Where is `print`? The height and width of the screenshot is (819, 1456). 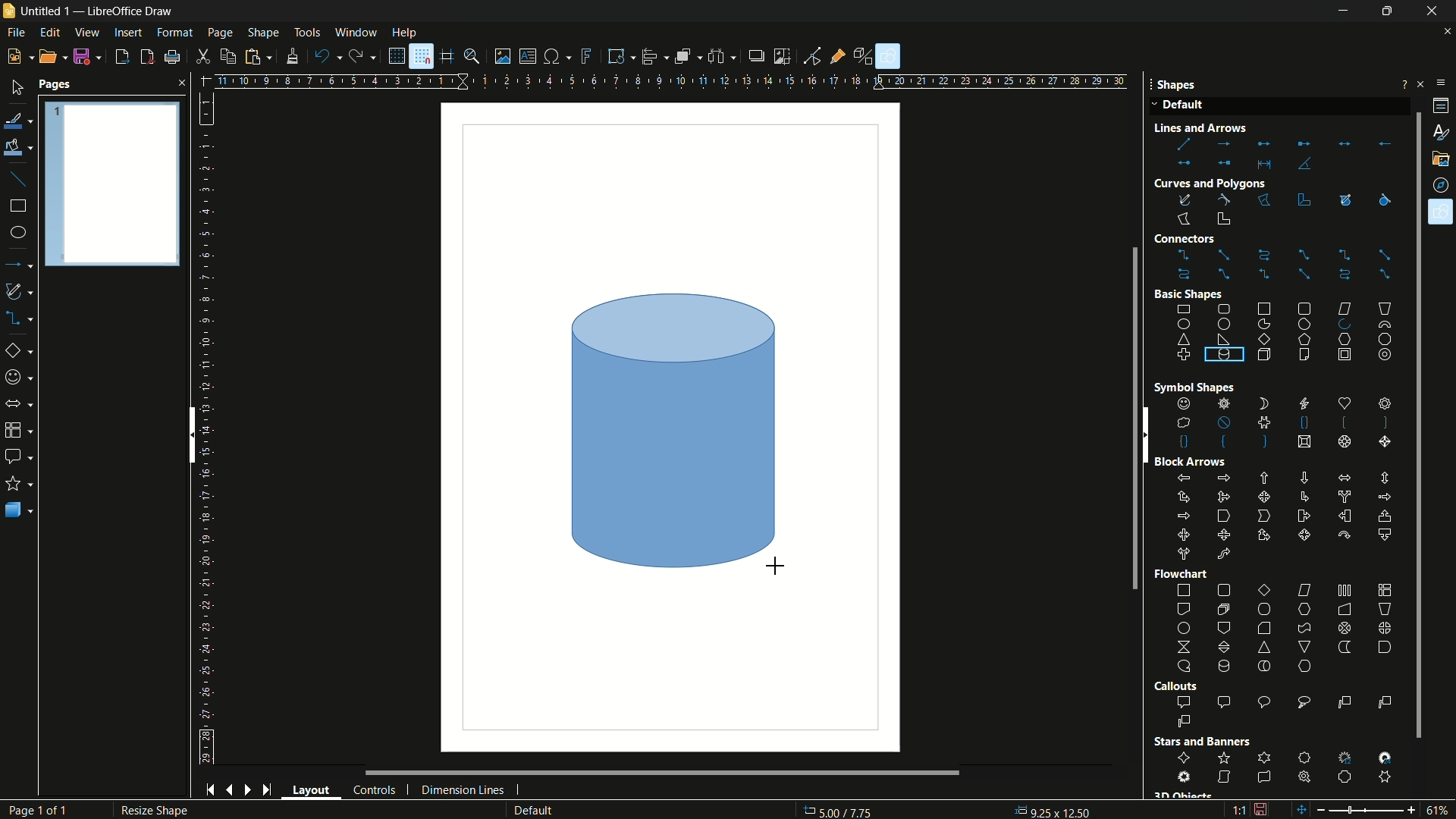
print is located at coordinates (171, 58).